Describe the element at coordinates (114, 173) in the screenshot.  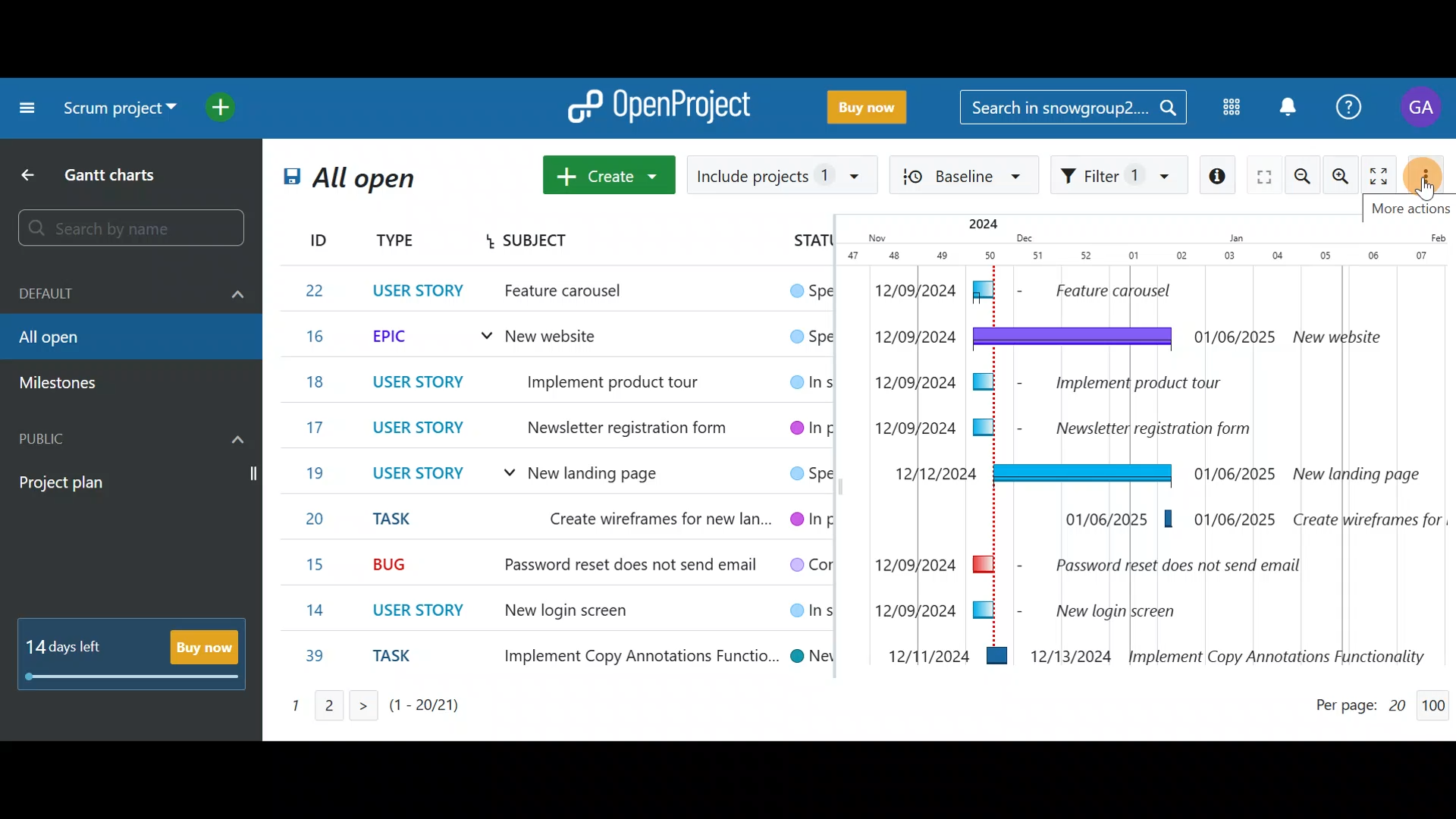
I see `Gantt charts` at that location.